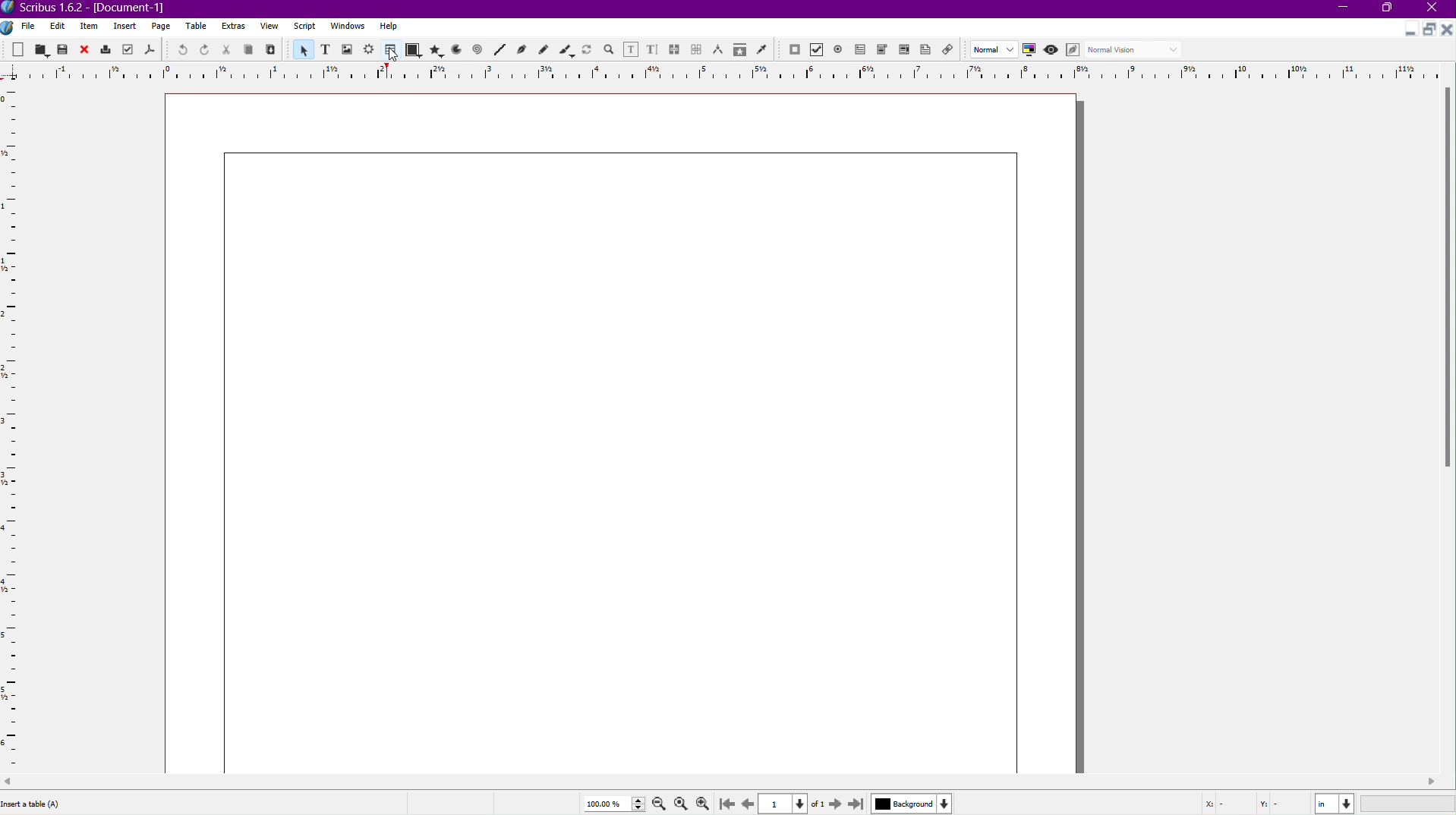 The width and height of the screenshot is (1456, 815). Describe the element at coordinates (414, 51) in the screenshot. I see `Shape` at that location.